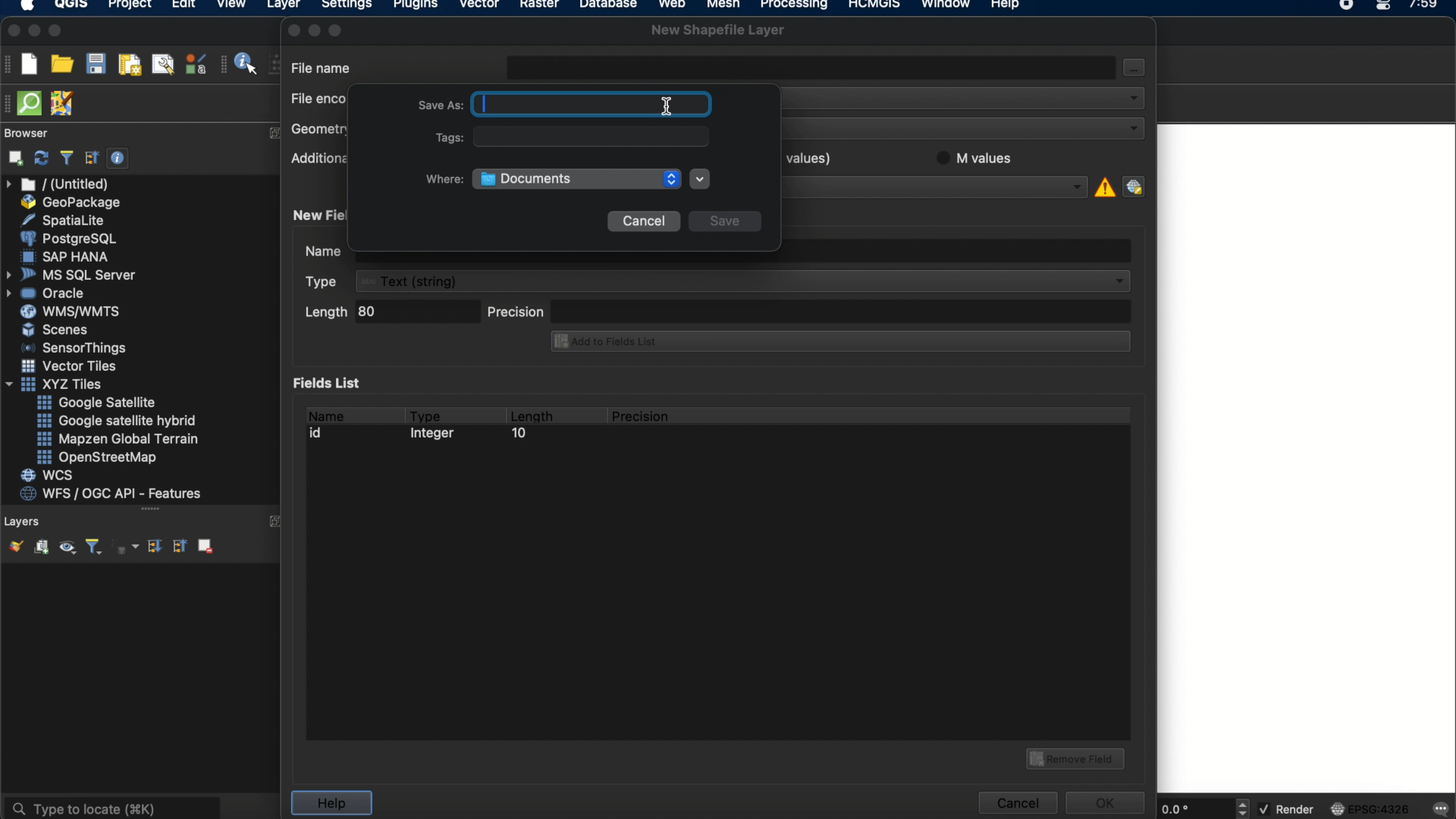 The width and height of the screenshot is (1456, 819). I want to click on cancel, so click(1016, 803).